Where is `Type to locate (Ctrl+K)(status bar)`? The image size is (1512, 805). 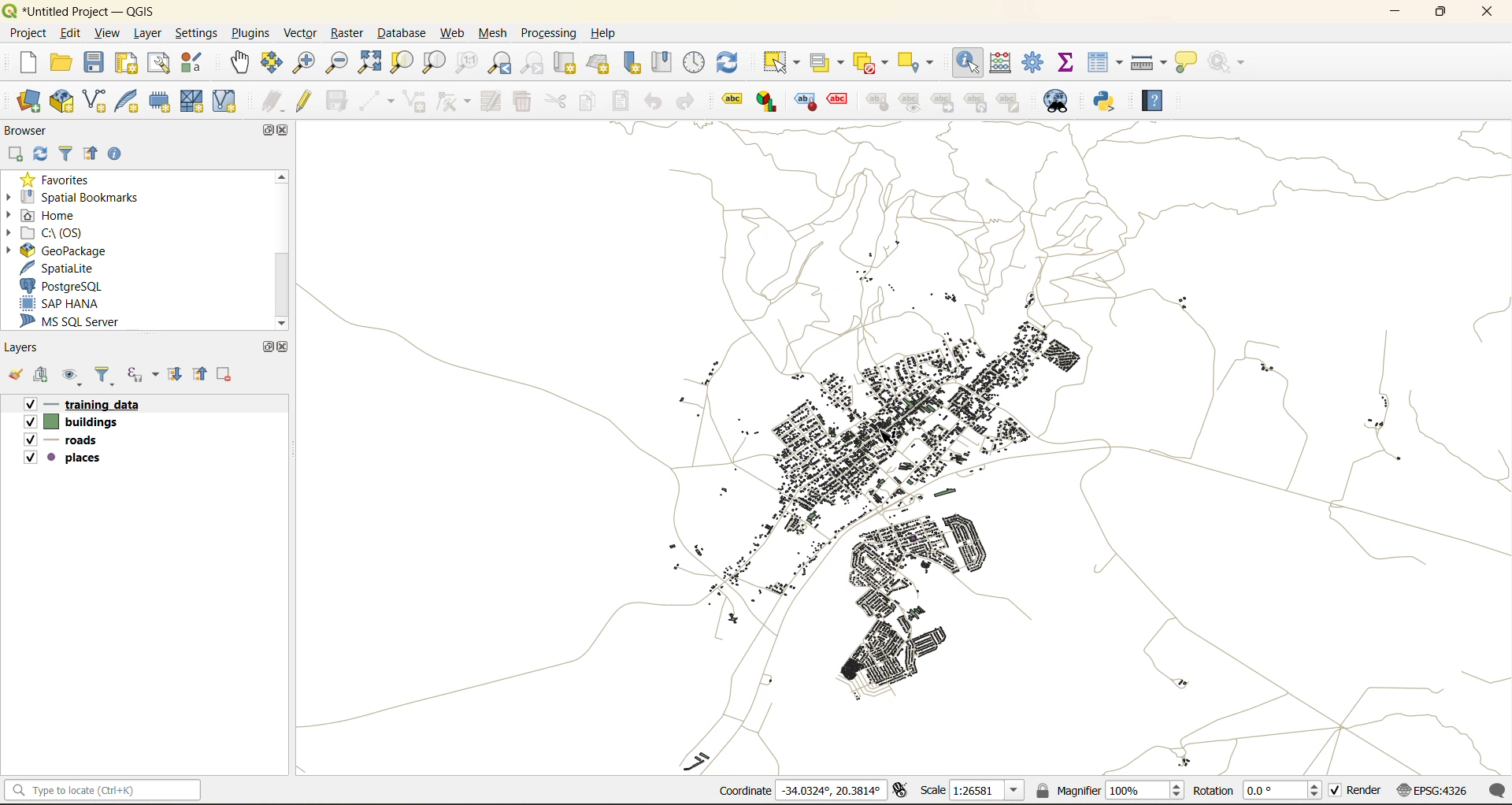 Type to locate (Ctrl+K)(status bar) is located at coordinates (103, 793).